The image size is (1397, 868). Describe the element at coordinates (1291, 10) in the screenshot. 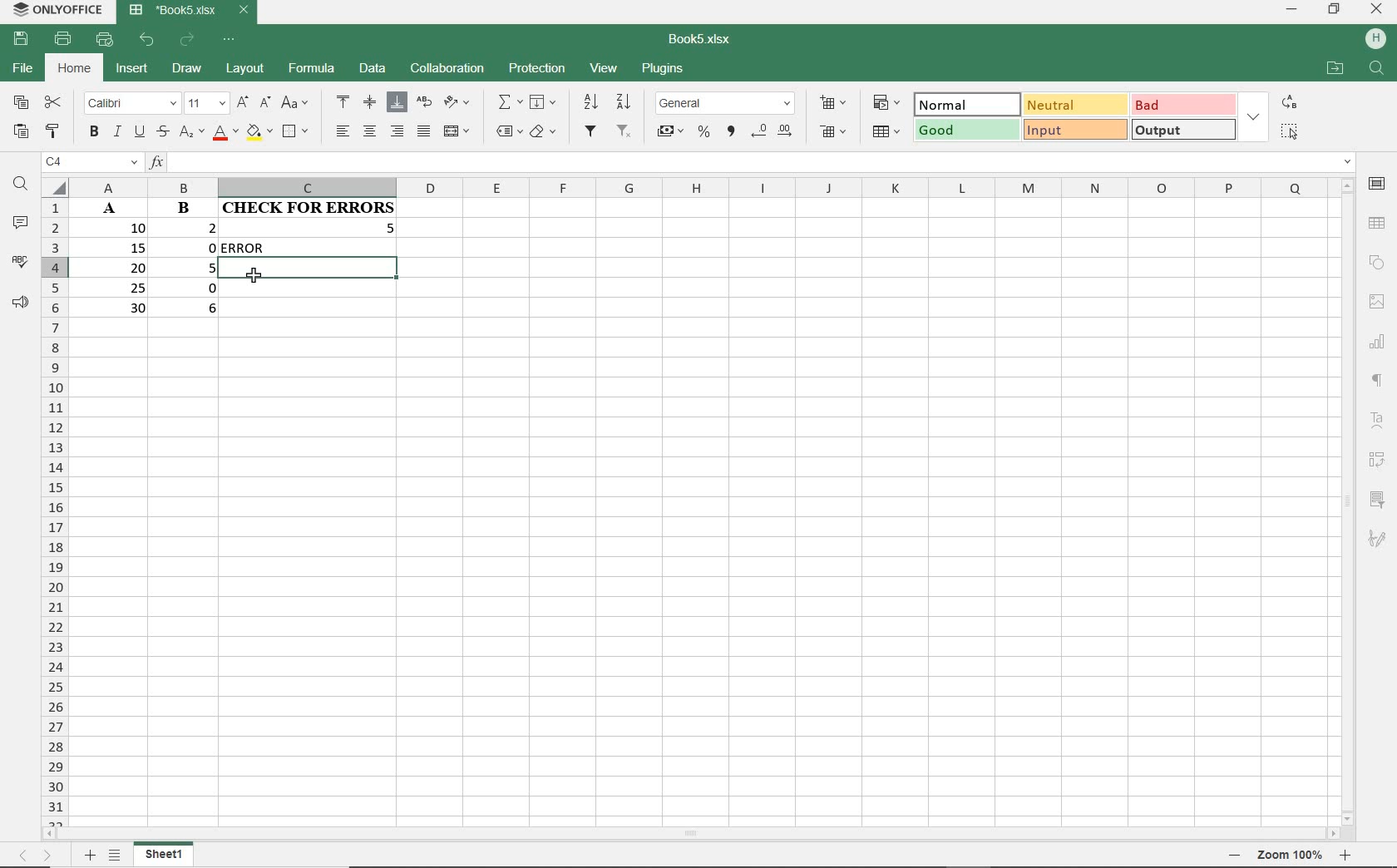

I see `MINIMIZE` at that location.